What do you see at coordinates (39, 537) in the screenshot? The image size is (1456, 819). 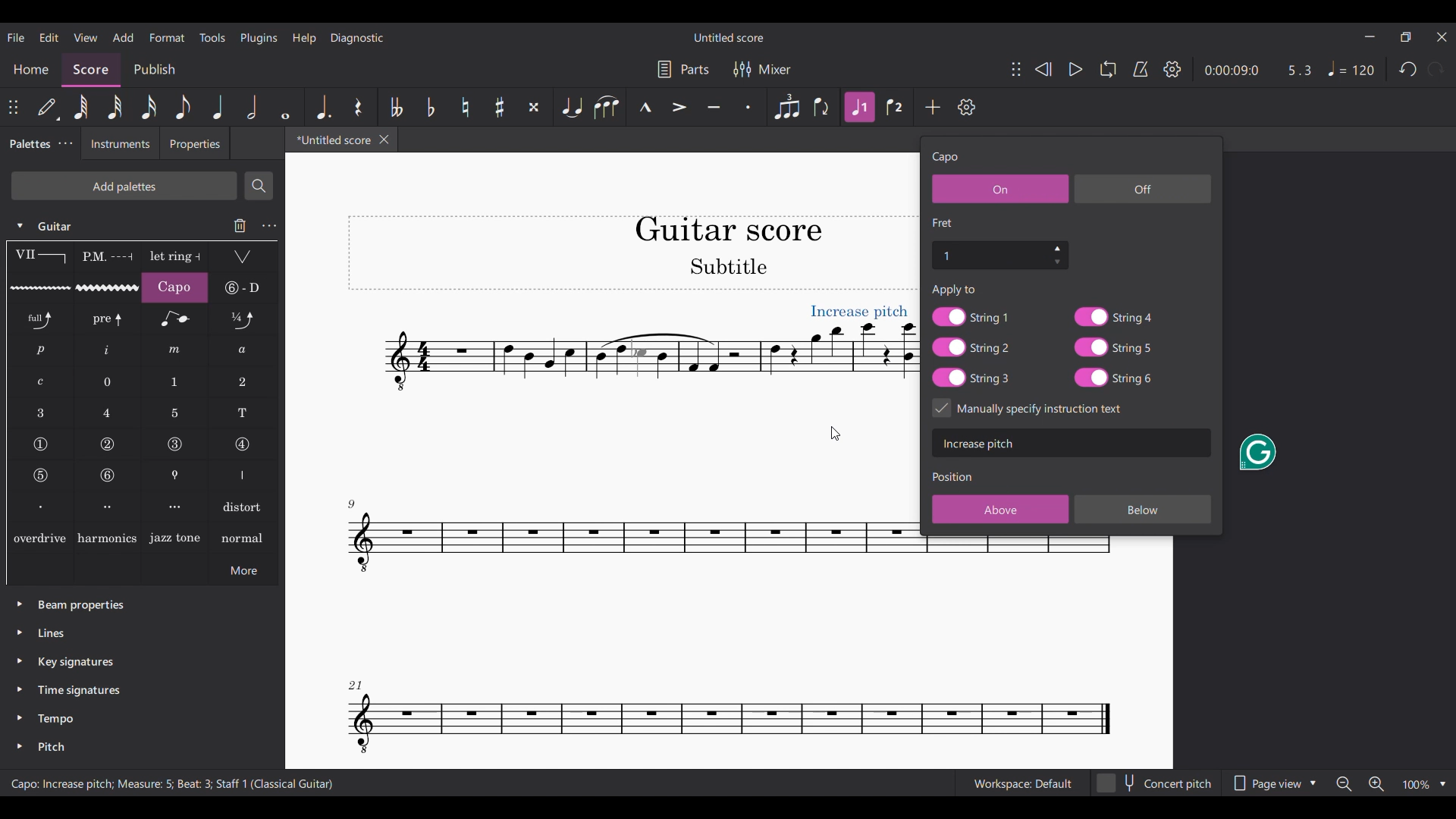 I see `overdrive` at bounding box center [39, 537].